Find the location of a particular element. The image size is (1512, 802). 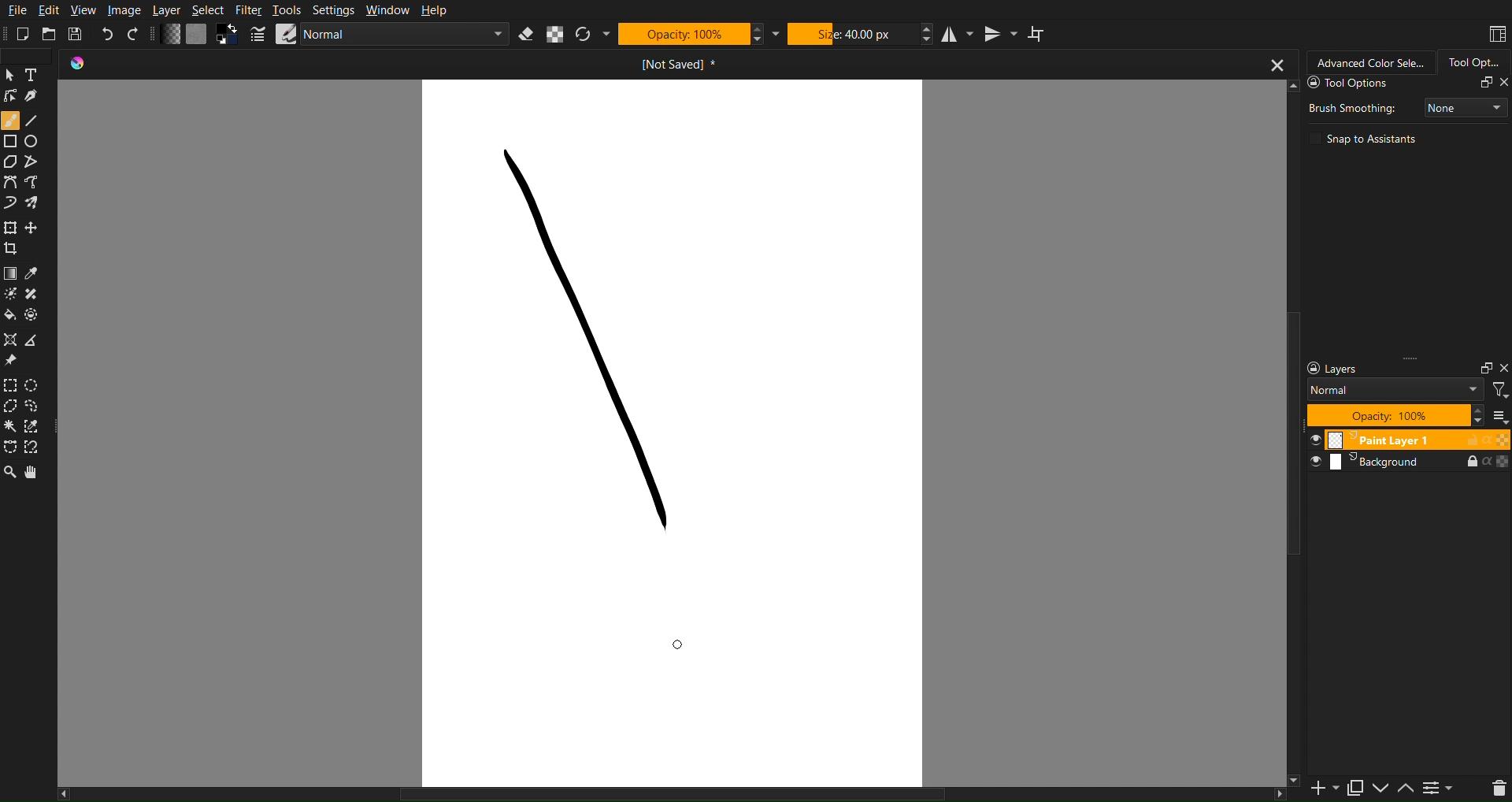

Linework is located at coordinates (11, 97).